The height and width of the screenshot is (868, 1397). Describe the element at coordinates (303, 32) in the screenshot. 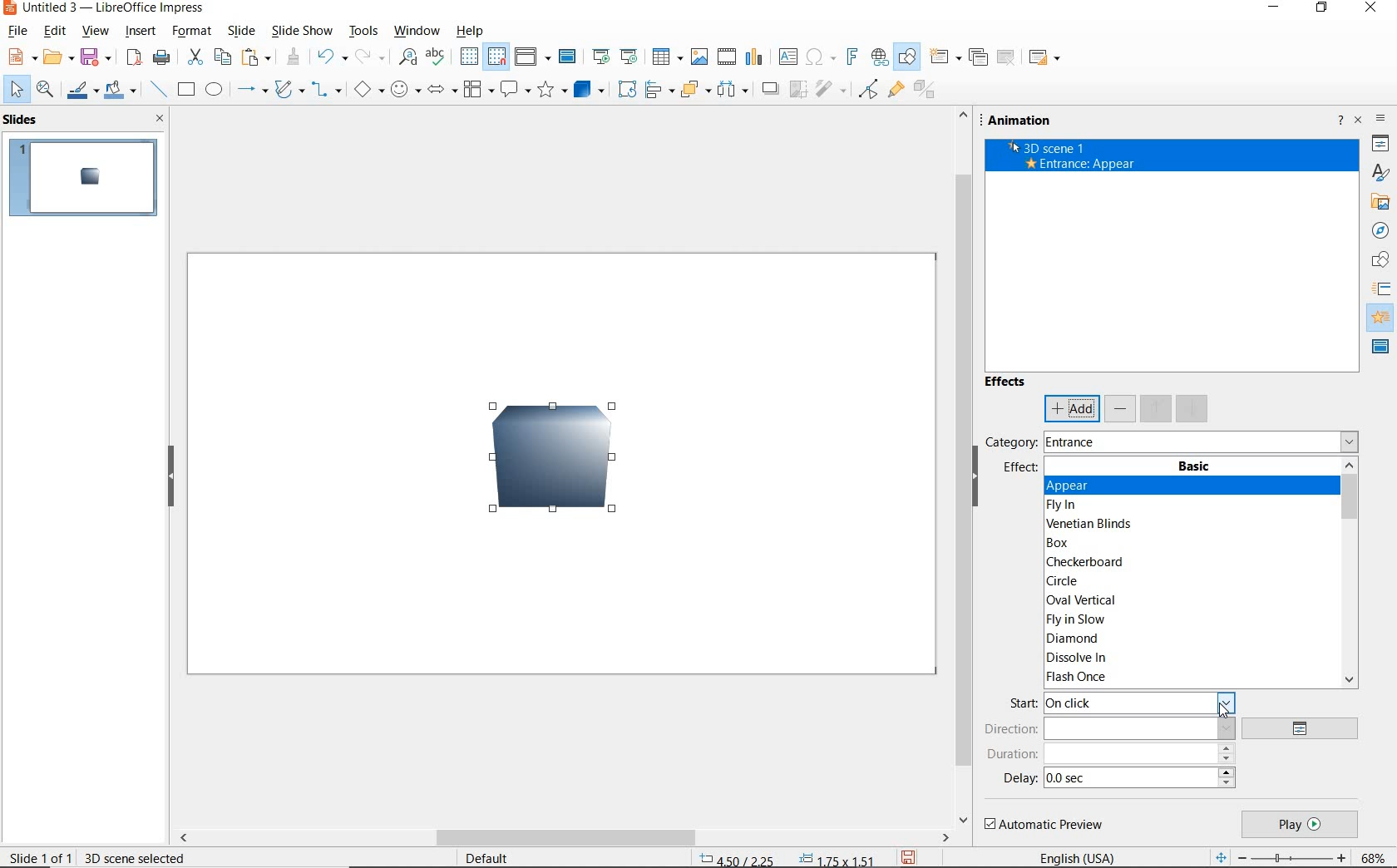

I see `slide show` at that location.